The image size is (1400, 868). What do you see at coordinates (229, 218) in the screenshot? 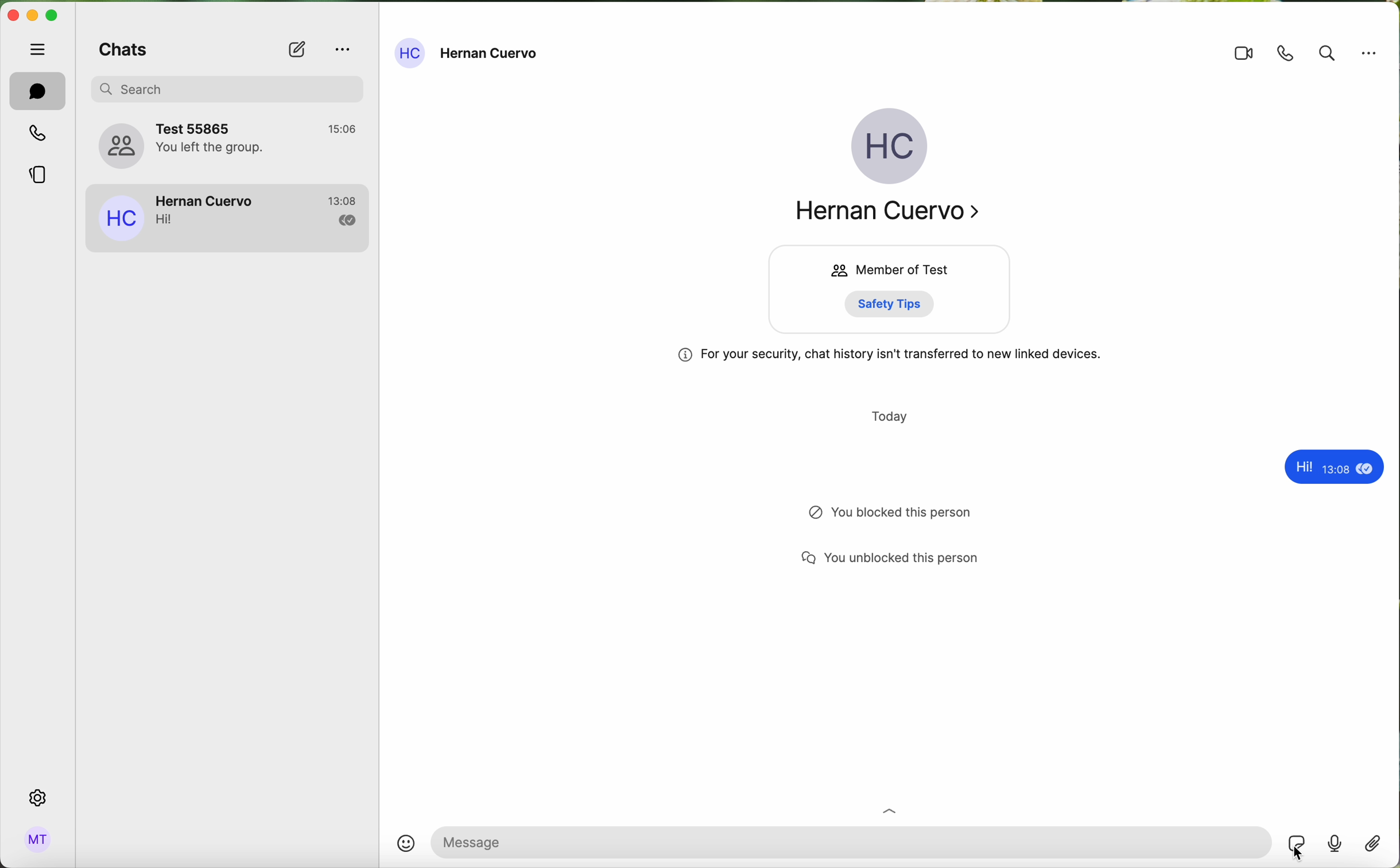
I see `Hernan Cuervo contact` at bounding box center [229, 218].